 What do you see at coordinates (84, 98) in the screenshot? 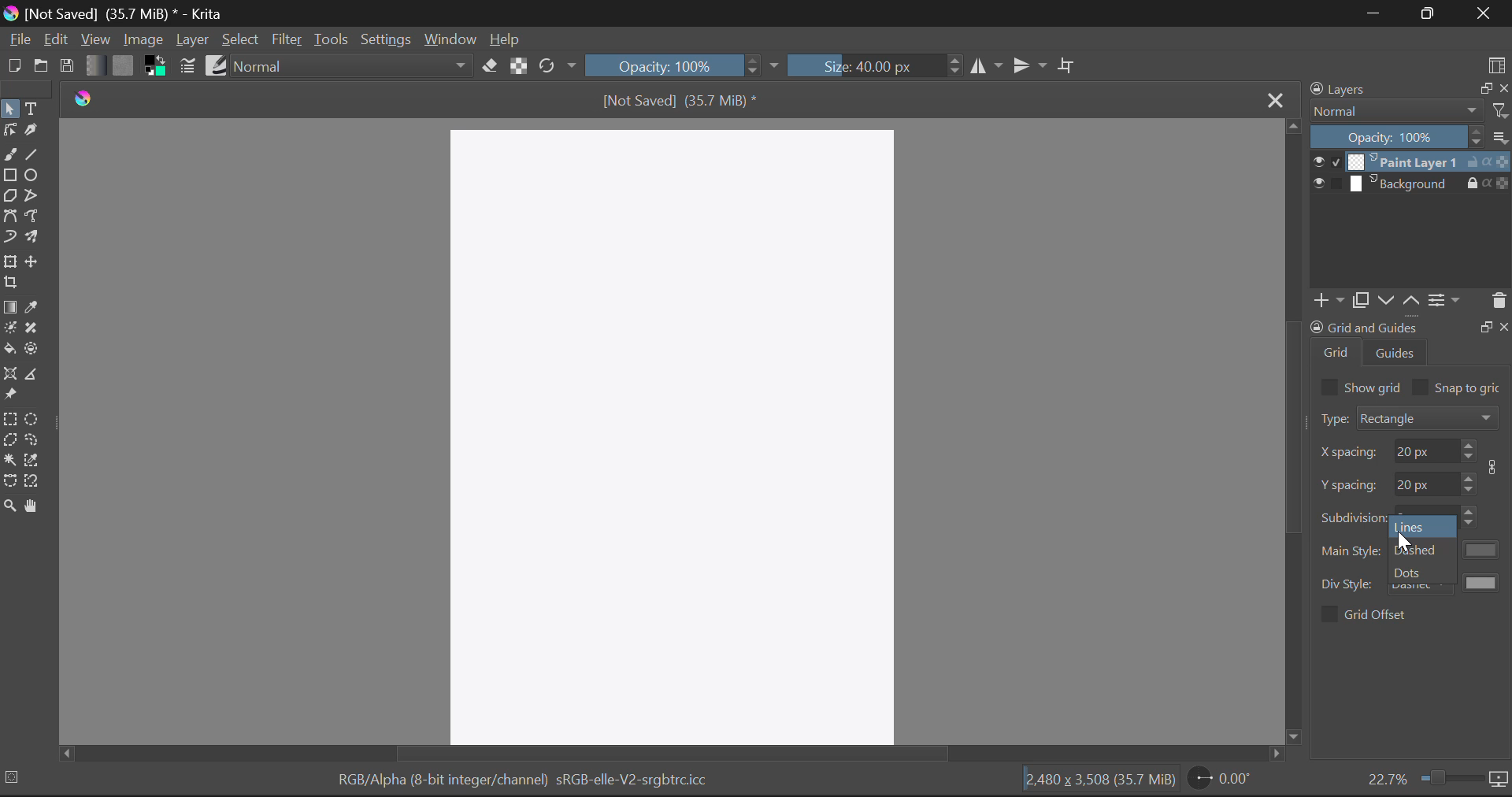
I see `Krita Logo` at bounding box center [84, 98].